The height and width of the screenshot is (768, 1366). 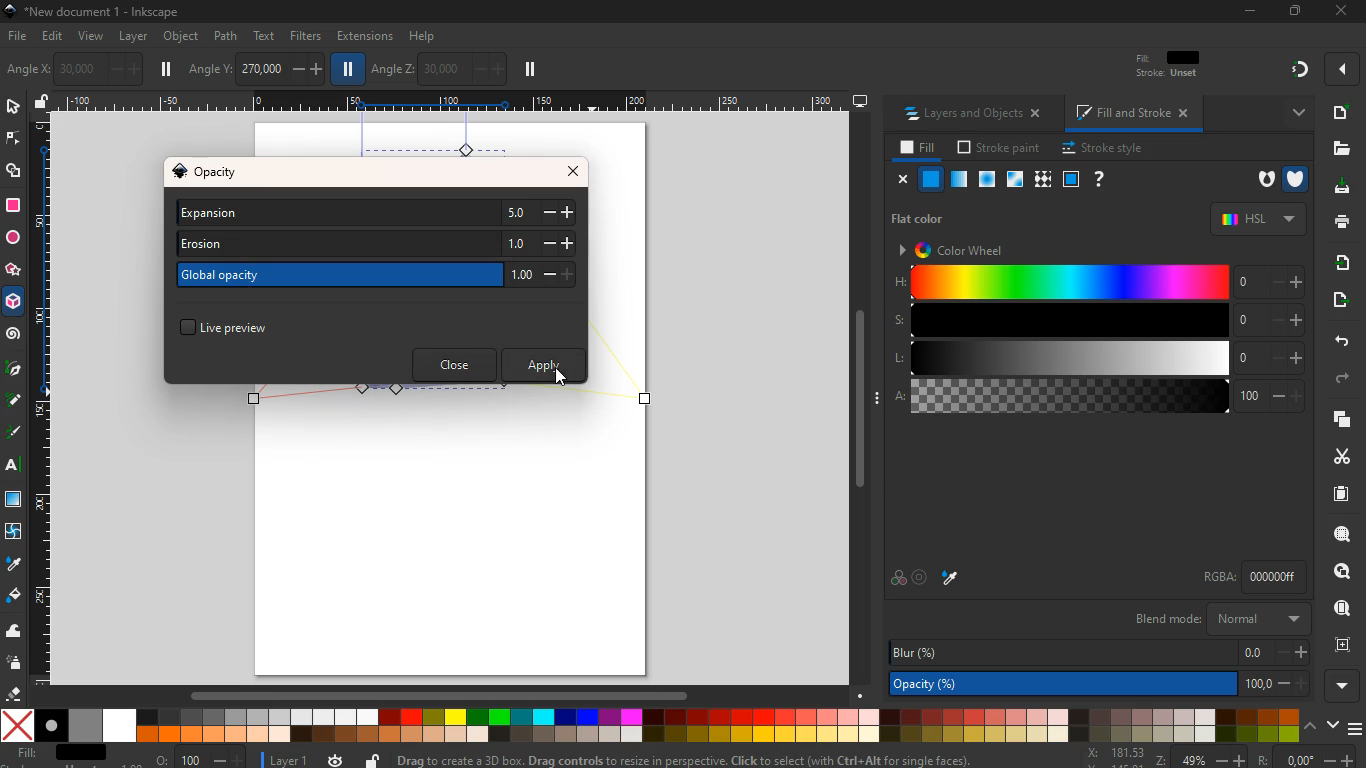 What do you see at coordinates (1336, 609) in the screenshot?
I see `use` at bounding box center [1336, 609].